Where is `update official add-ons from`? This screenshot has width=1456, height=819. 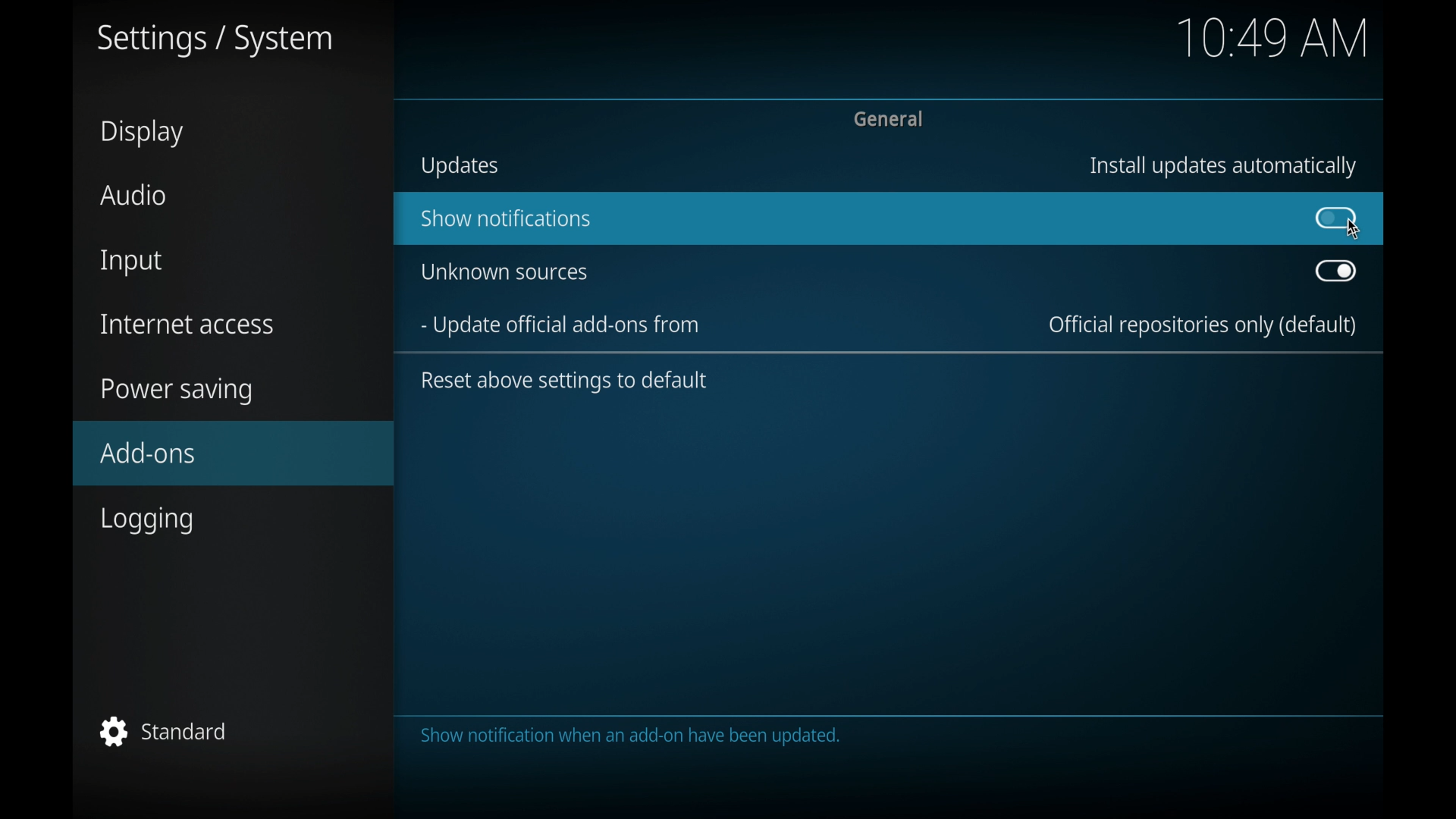 update official add-ons from is located at coordinates (558, 327).